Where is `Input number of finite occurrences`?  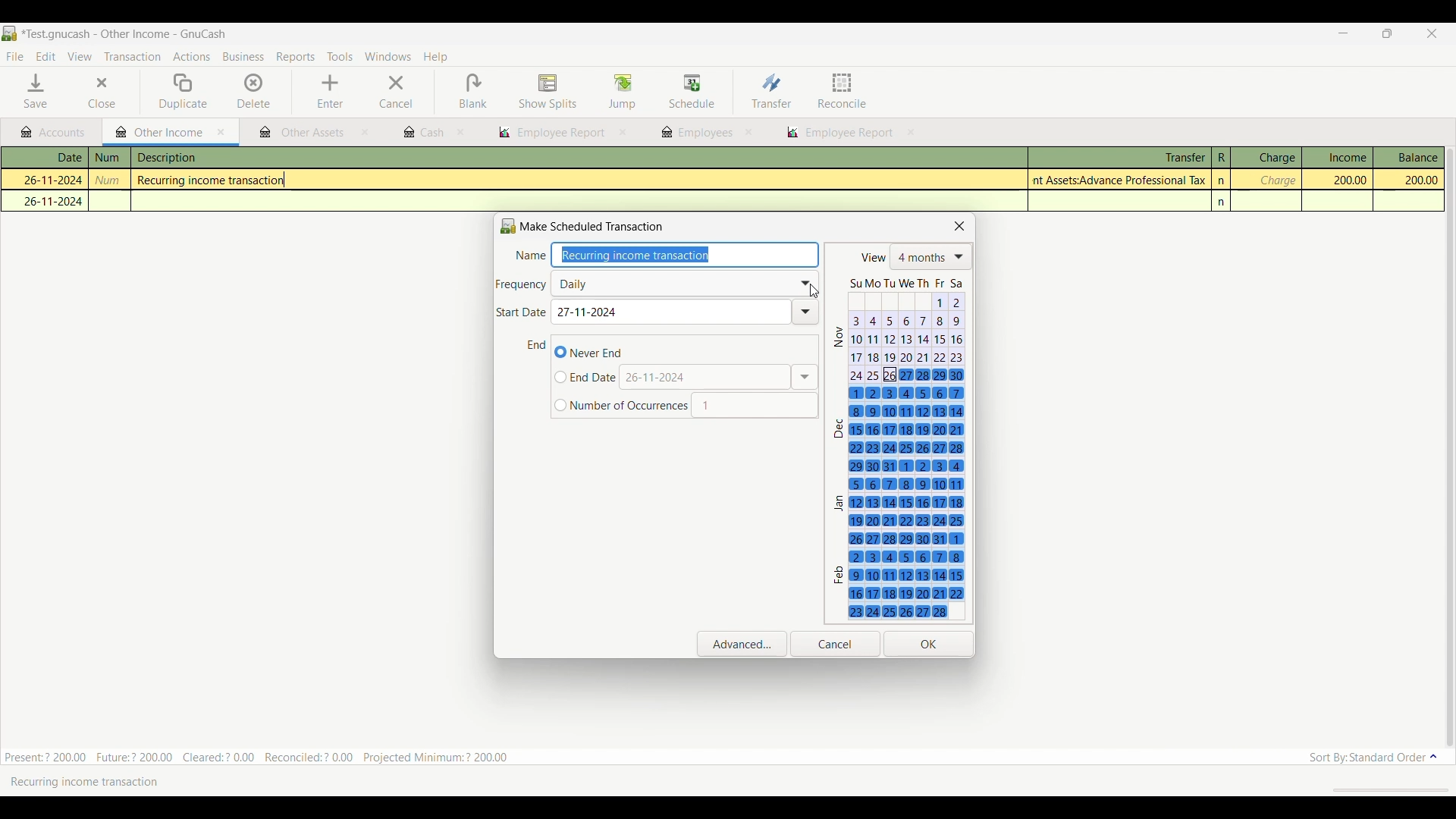 Input number of finite occurrences is located at coordinates (621, 406).